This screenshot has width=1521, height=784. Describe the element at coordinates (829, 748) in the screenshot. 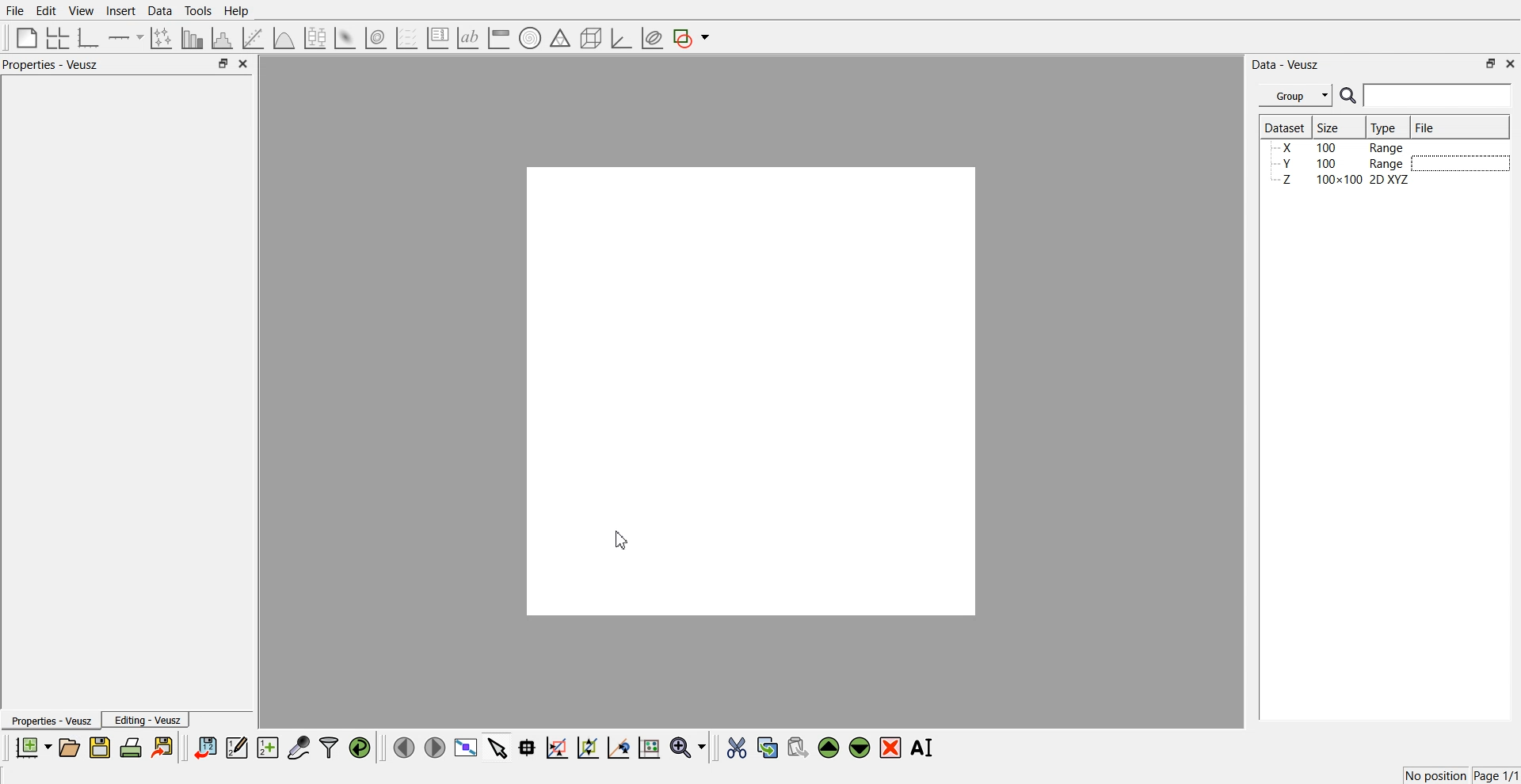

I see `Move up the selected widget` at that location.